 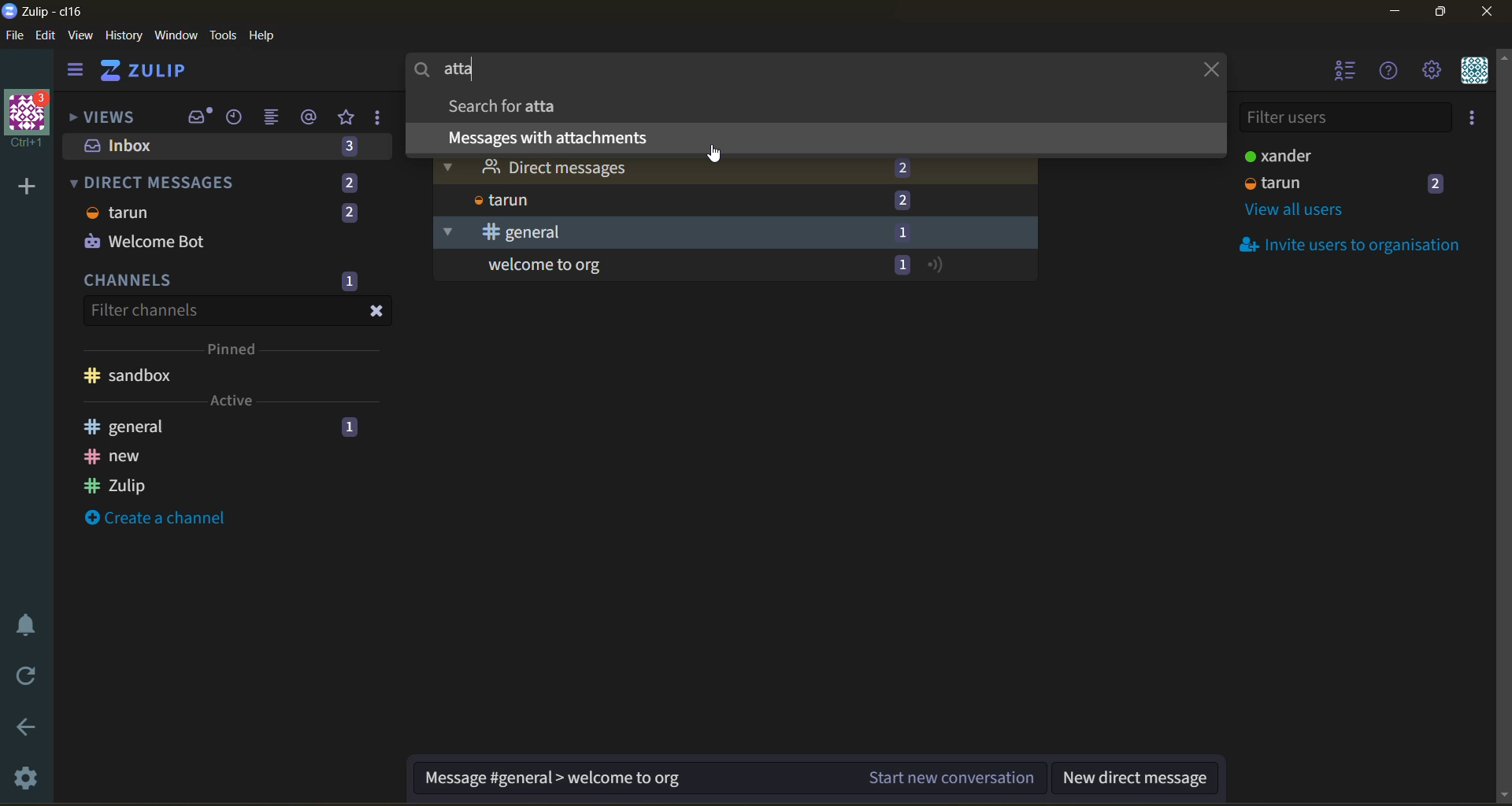 What do you see at coordinates (498, 233) in the screenshot?
I see `# general` at bounding box center [498, 233].